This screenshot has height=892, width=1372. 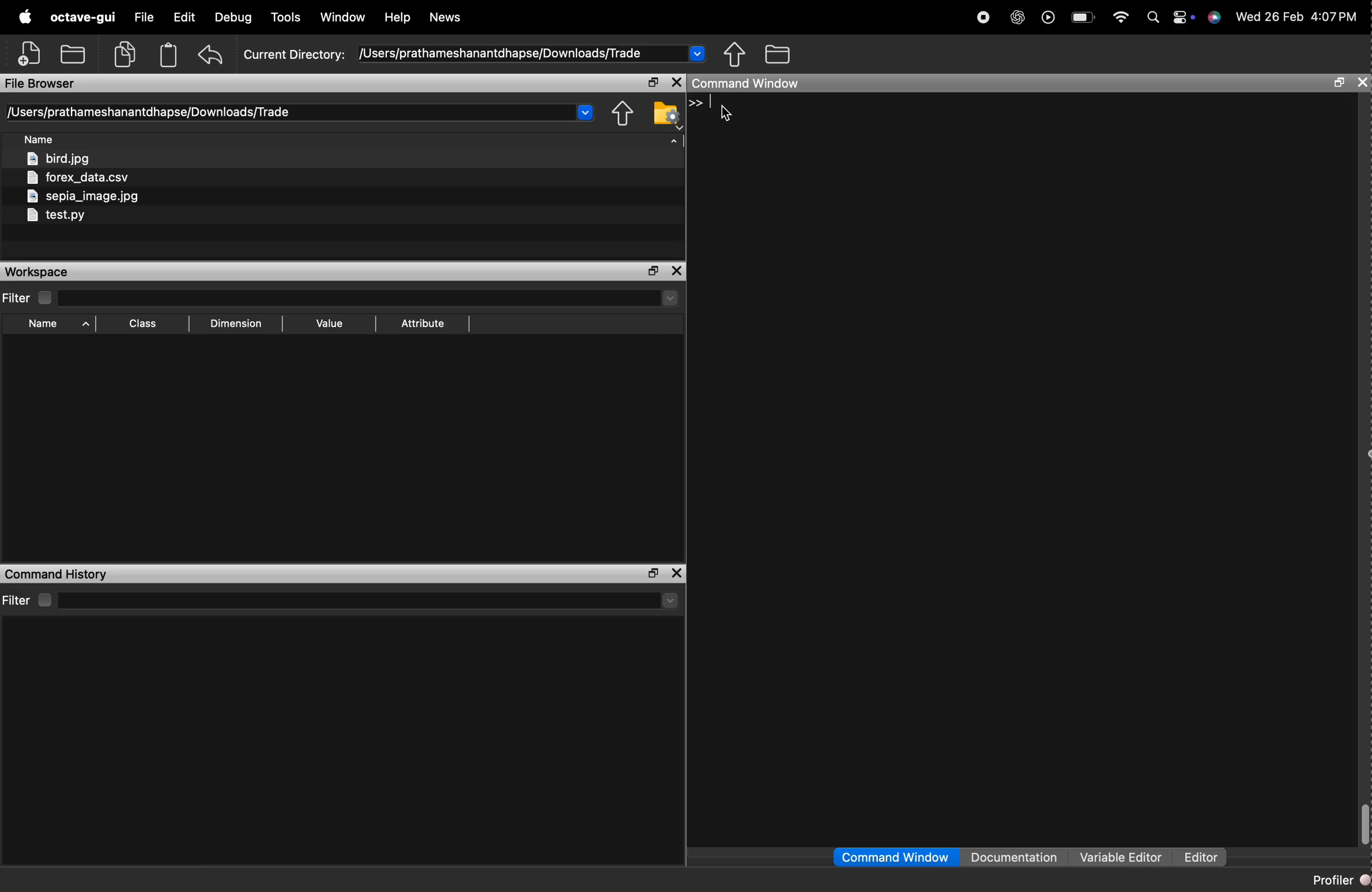 I want to click on add folder, so click(x=72, y=55).